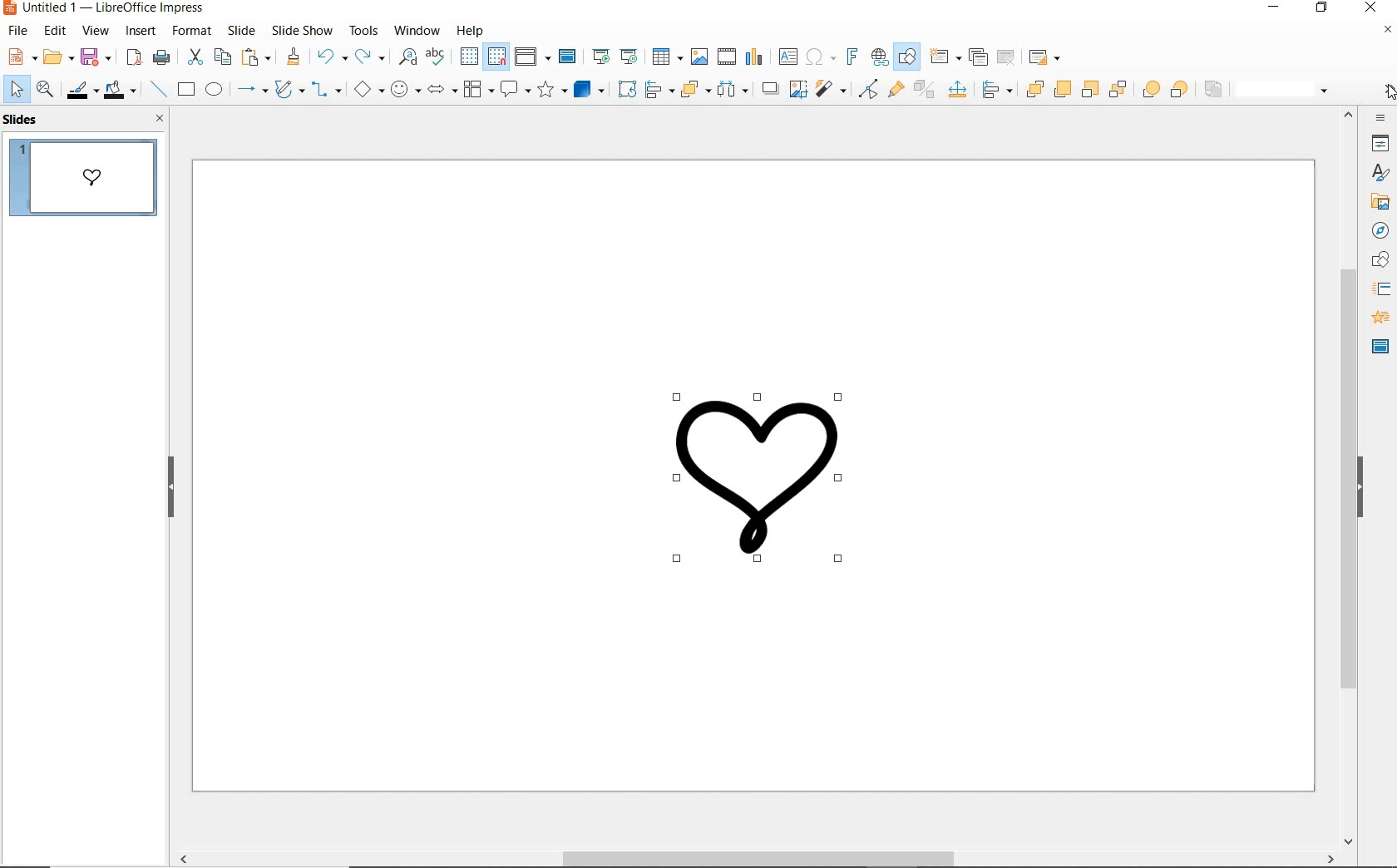 The image size is (1397, 868). Describe the element at coordinates (367, 91) in the screenshot. I see `basic shapes` at that location.